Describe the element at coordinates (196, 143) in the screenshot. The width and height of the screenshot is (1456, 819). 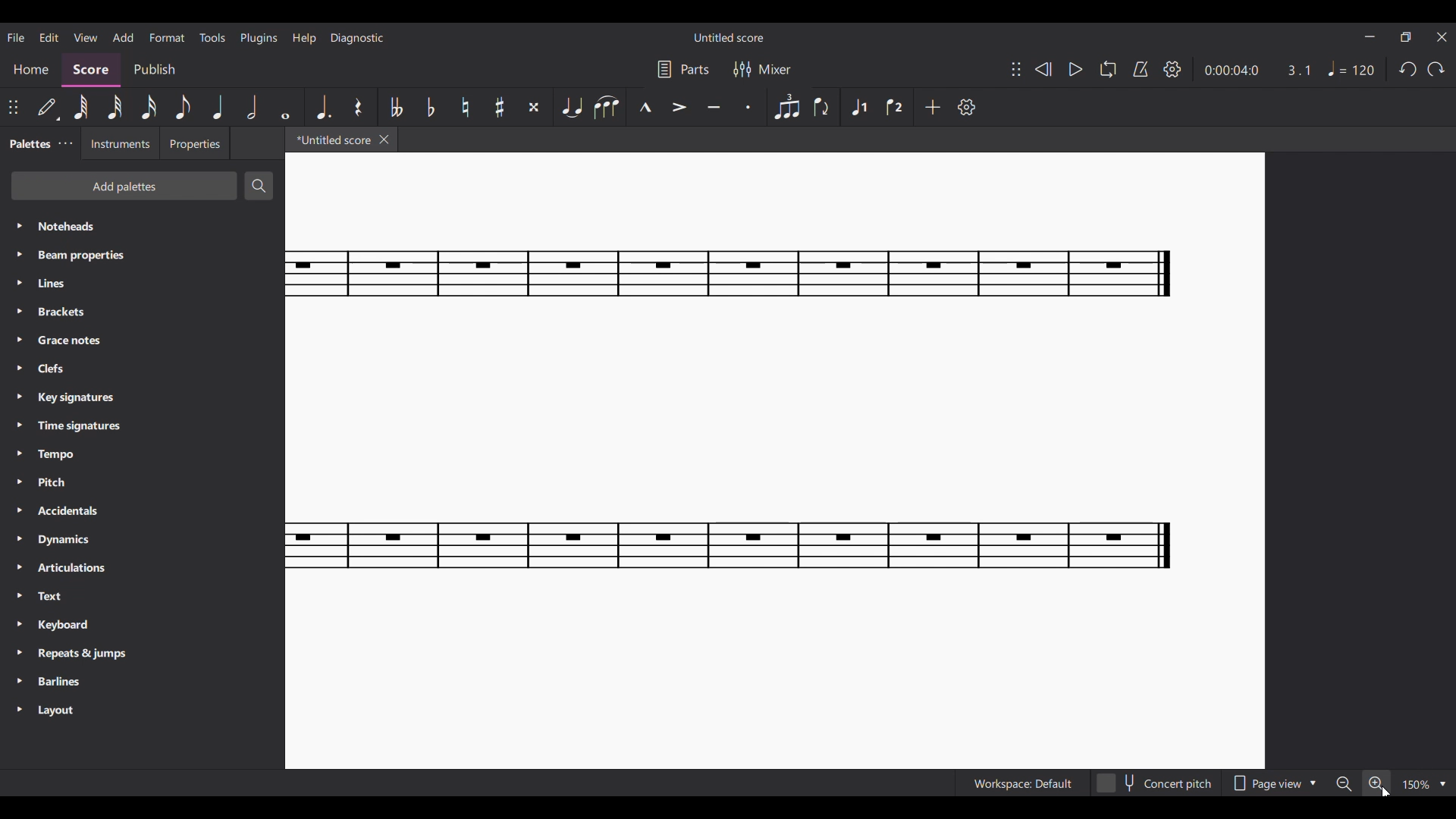
I see `Properties` at that location.